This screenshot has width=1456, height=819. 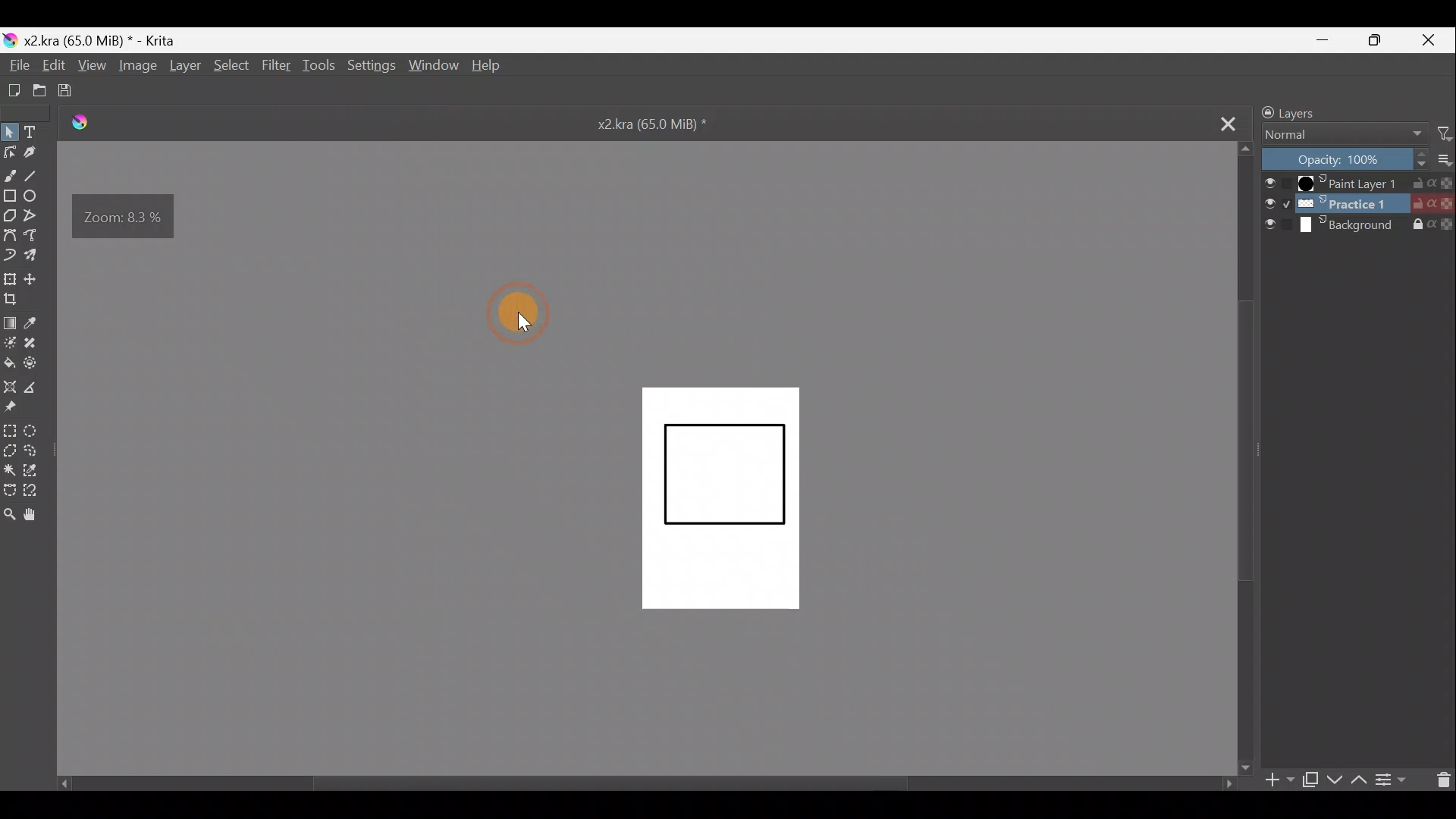 I want to click on Multibrush tool, so click(x=38, y=254).